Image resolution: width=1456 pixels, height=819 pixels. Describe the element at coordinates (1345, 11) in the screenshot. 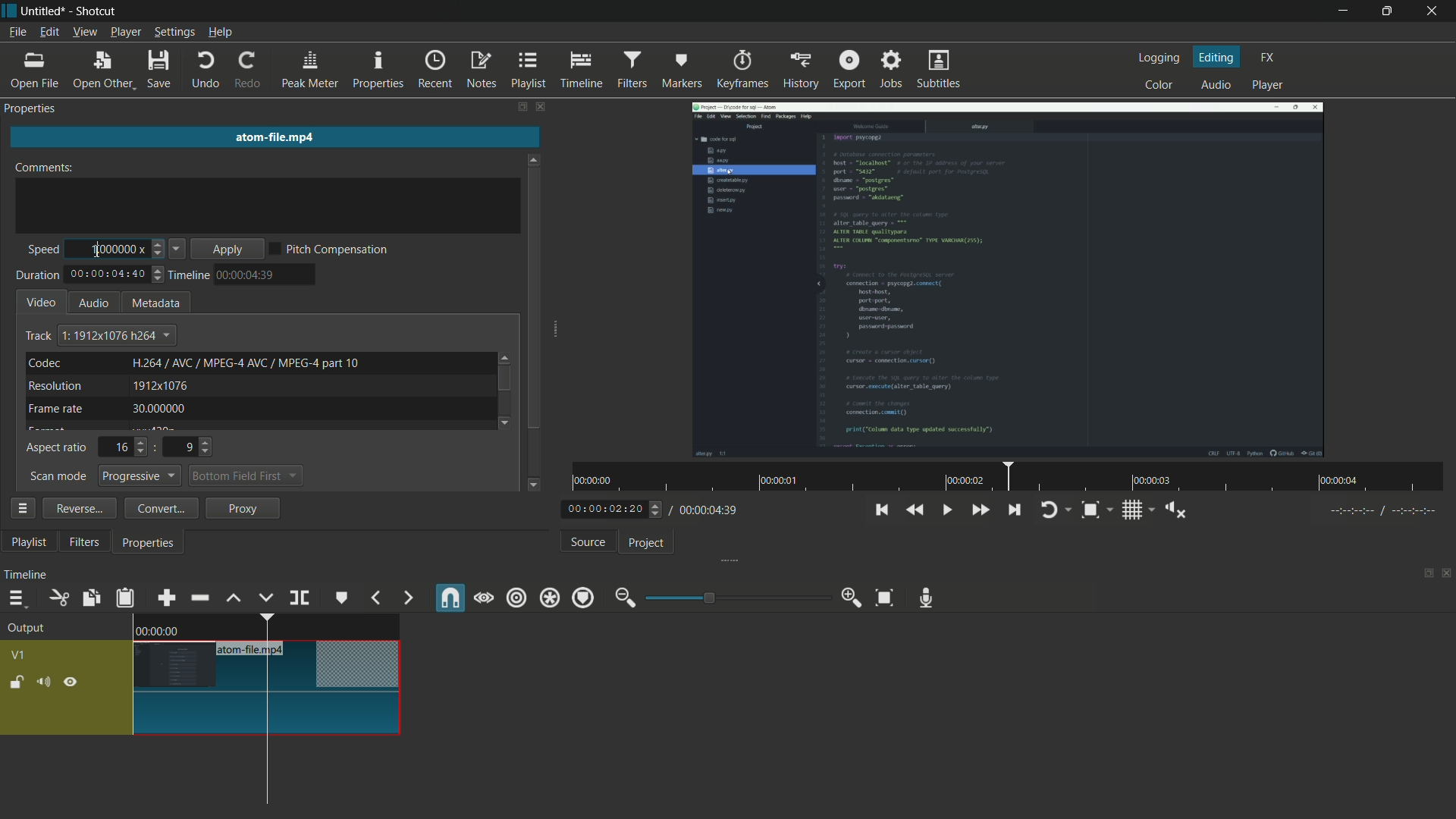

I see `minimize` at that location.